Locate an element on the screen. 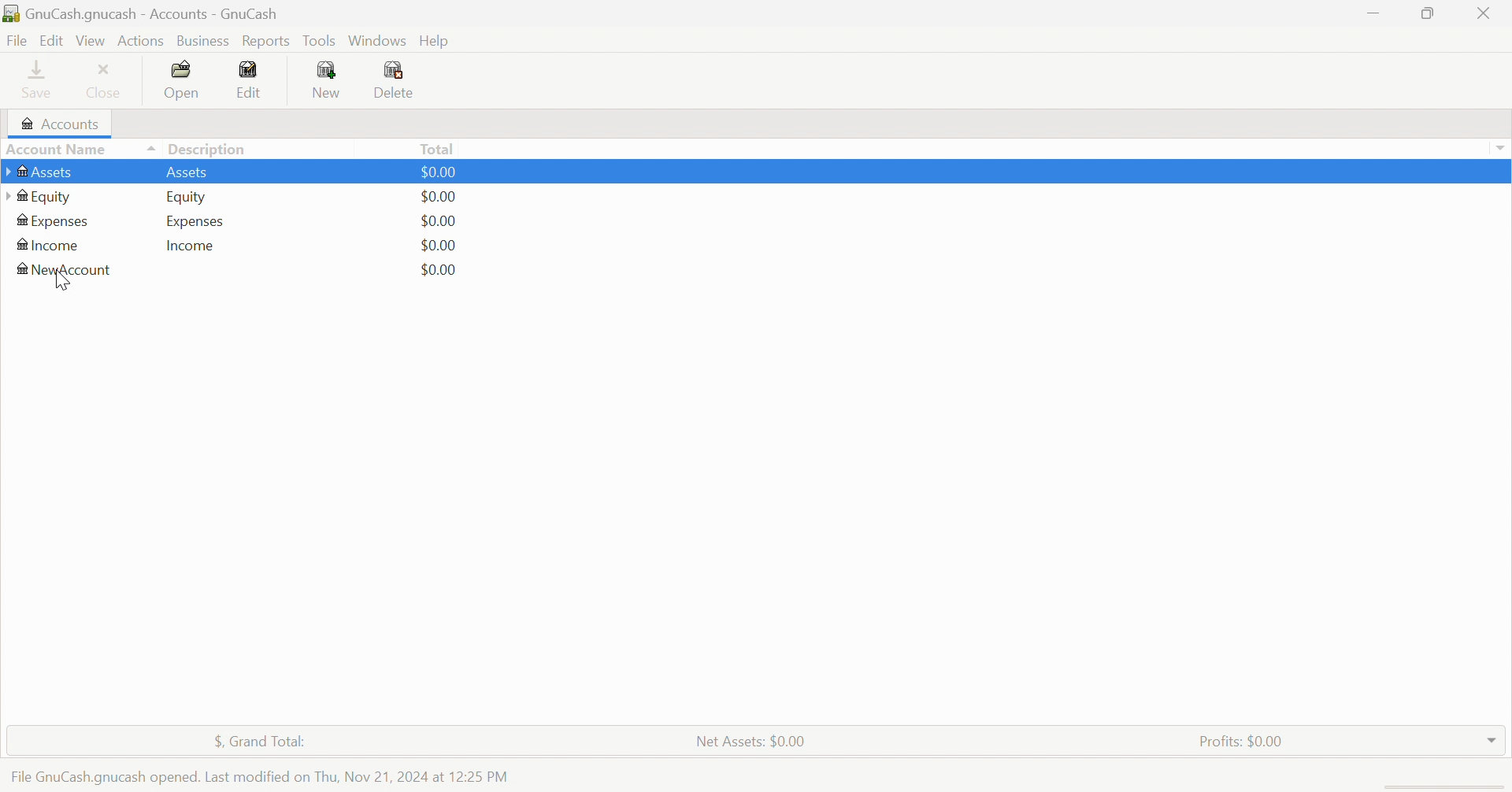  Tools is located at coordinates (321, 41).